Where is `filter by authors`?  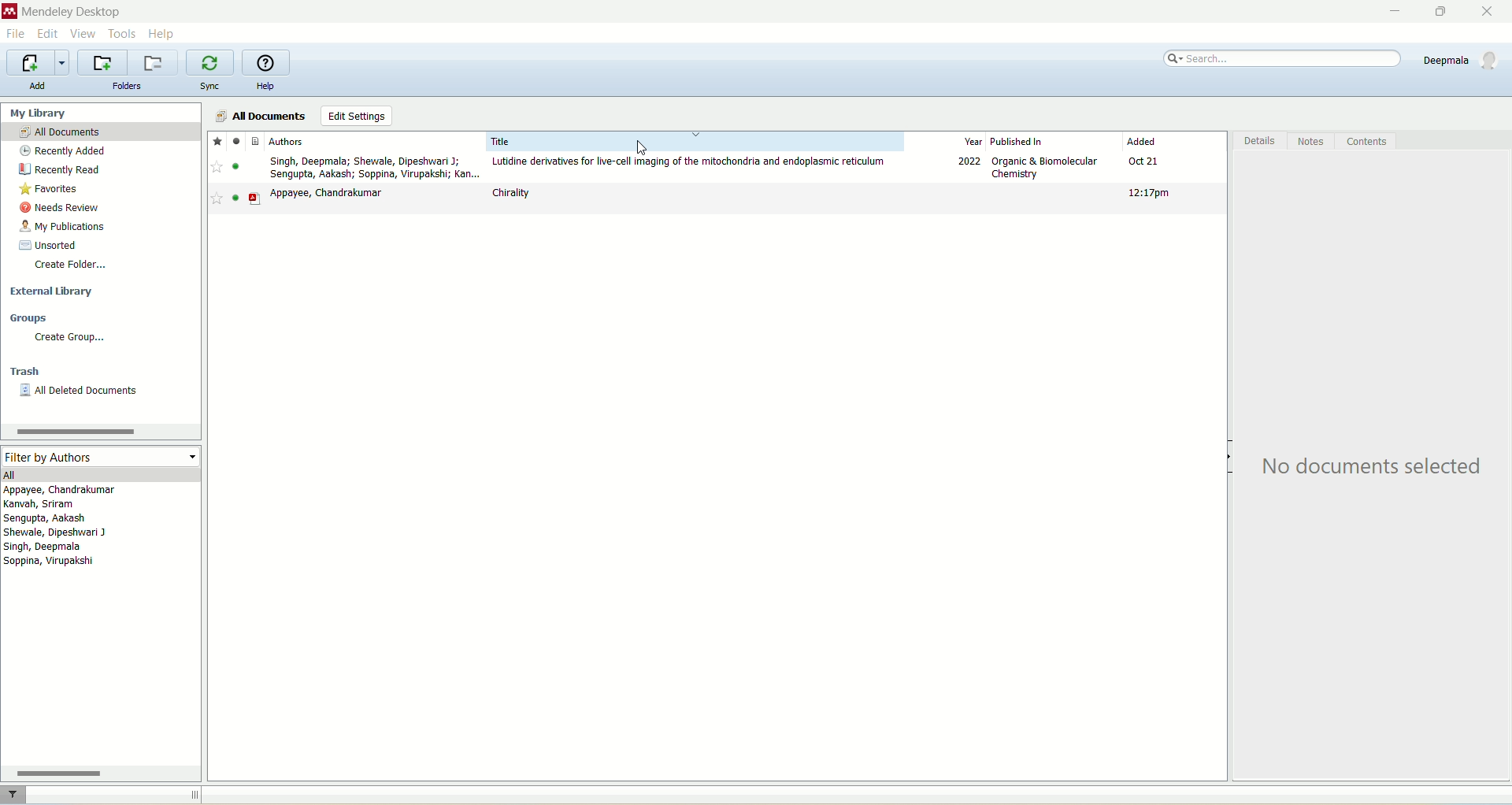
filter by authors is located at coordinates (98, 456).